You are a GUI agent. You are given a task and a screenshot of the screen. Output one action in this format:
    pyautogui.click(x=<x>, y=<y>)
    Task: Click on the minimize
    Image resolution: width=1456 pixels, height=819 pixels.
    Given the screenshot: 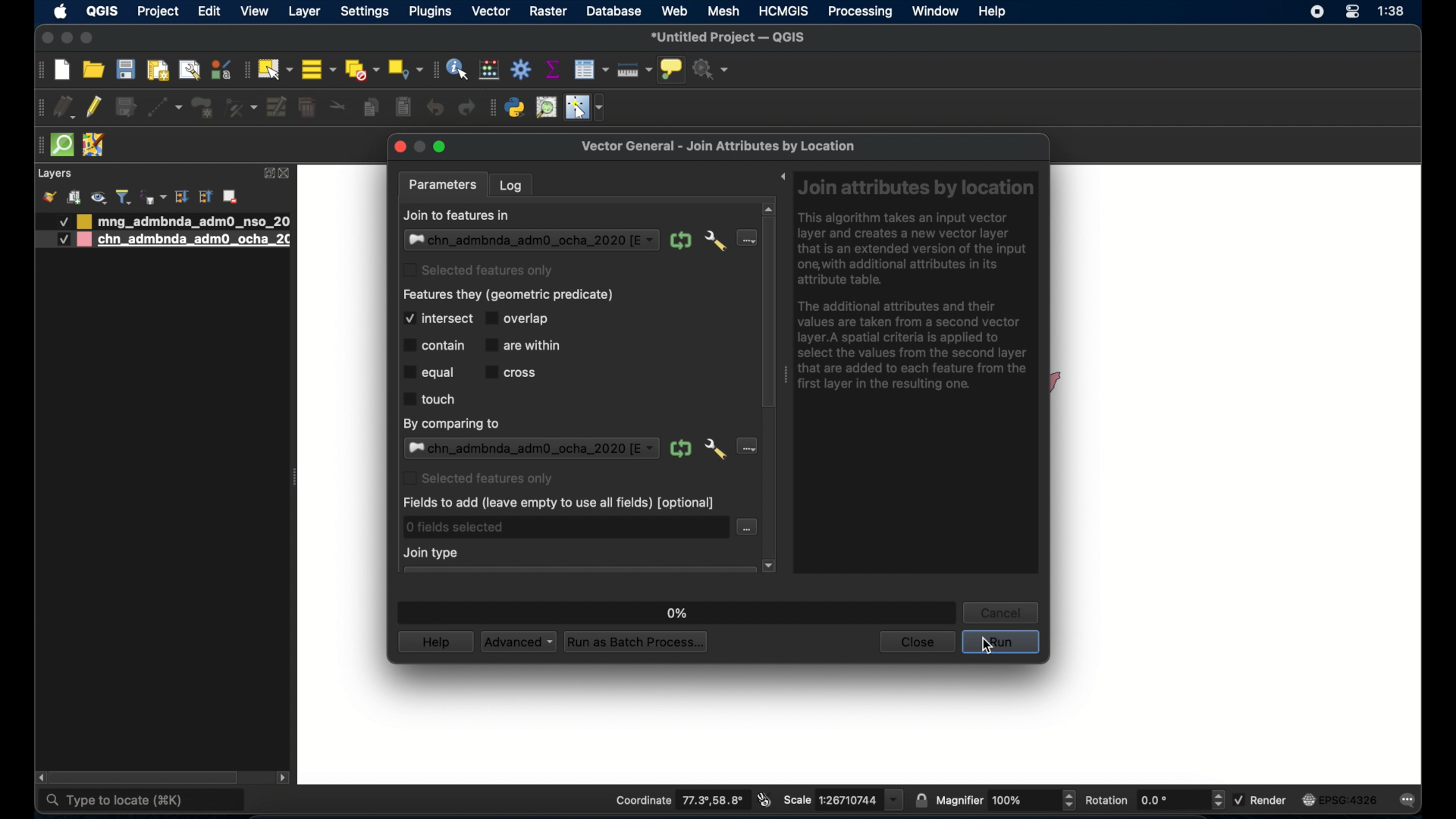 What is the action you would take?
    pyautogui.click(x=67, y=39)
    